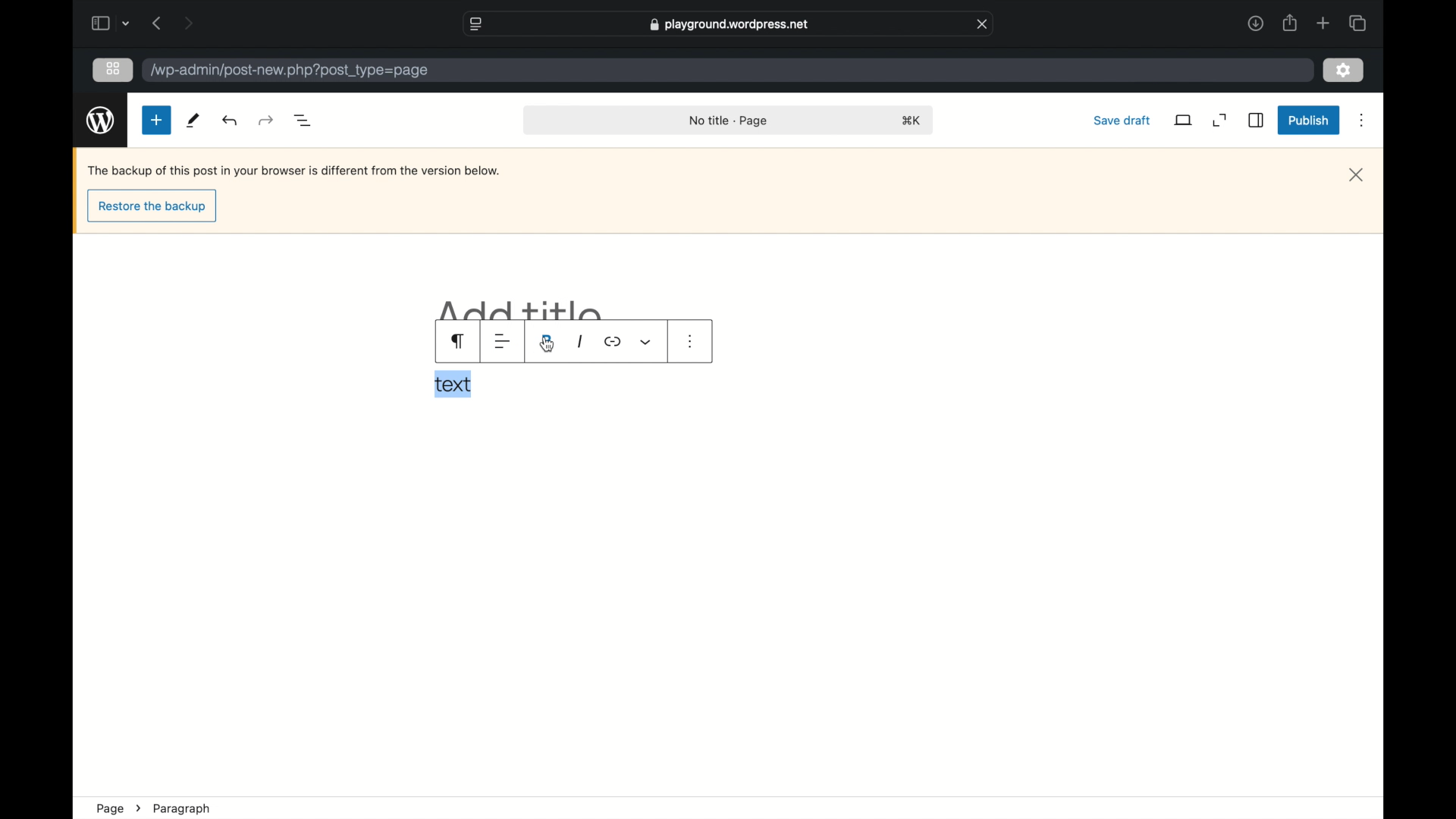  I want to click on website settings, so click(475, 23).